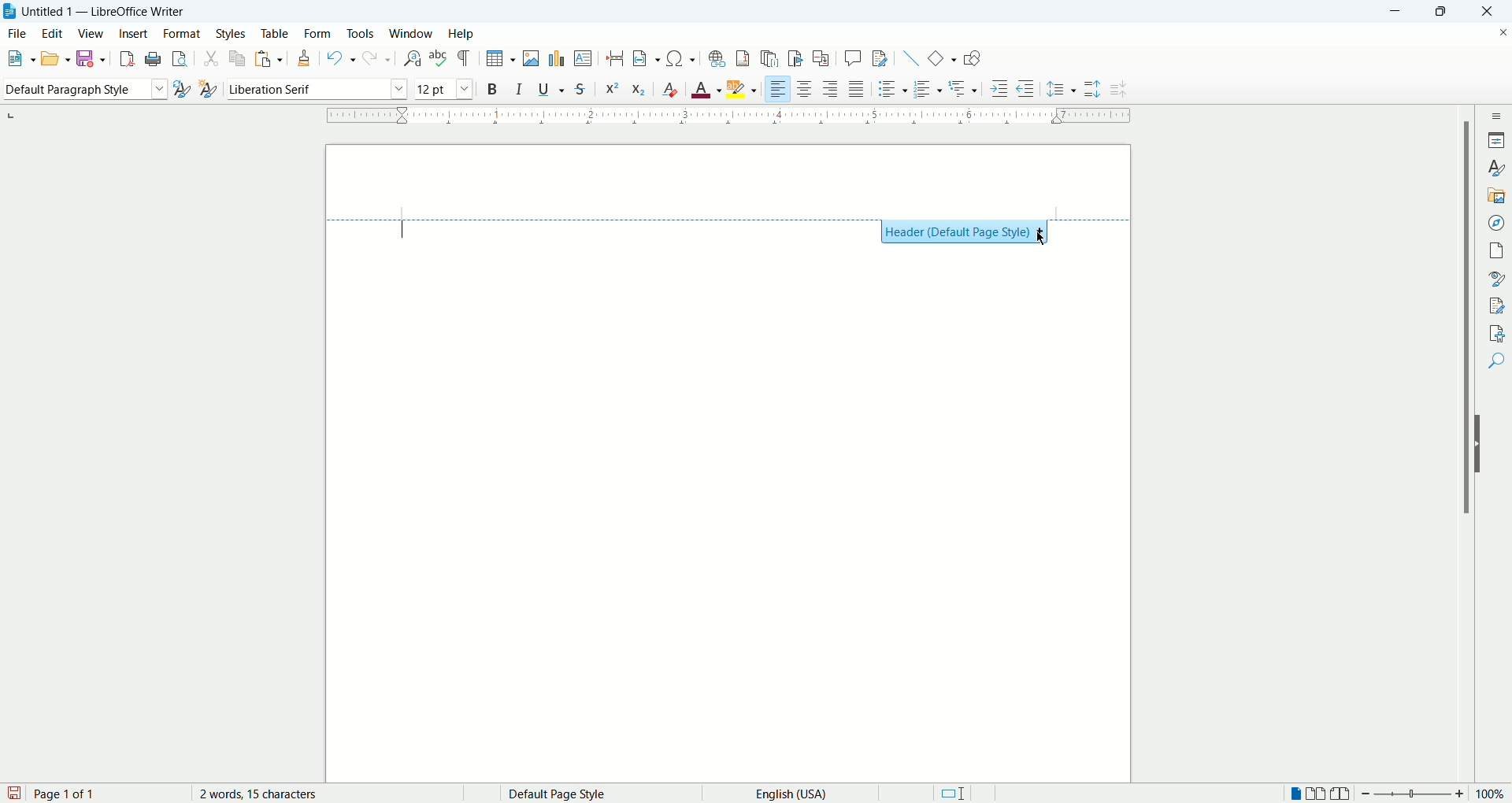 The height and width of the screenshot is (803, 1512). What do you see at coordinates (727, 526) in the screenshot?
I see `main page` at bounding box center [727, 526].